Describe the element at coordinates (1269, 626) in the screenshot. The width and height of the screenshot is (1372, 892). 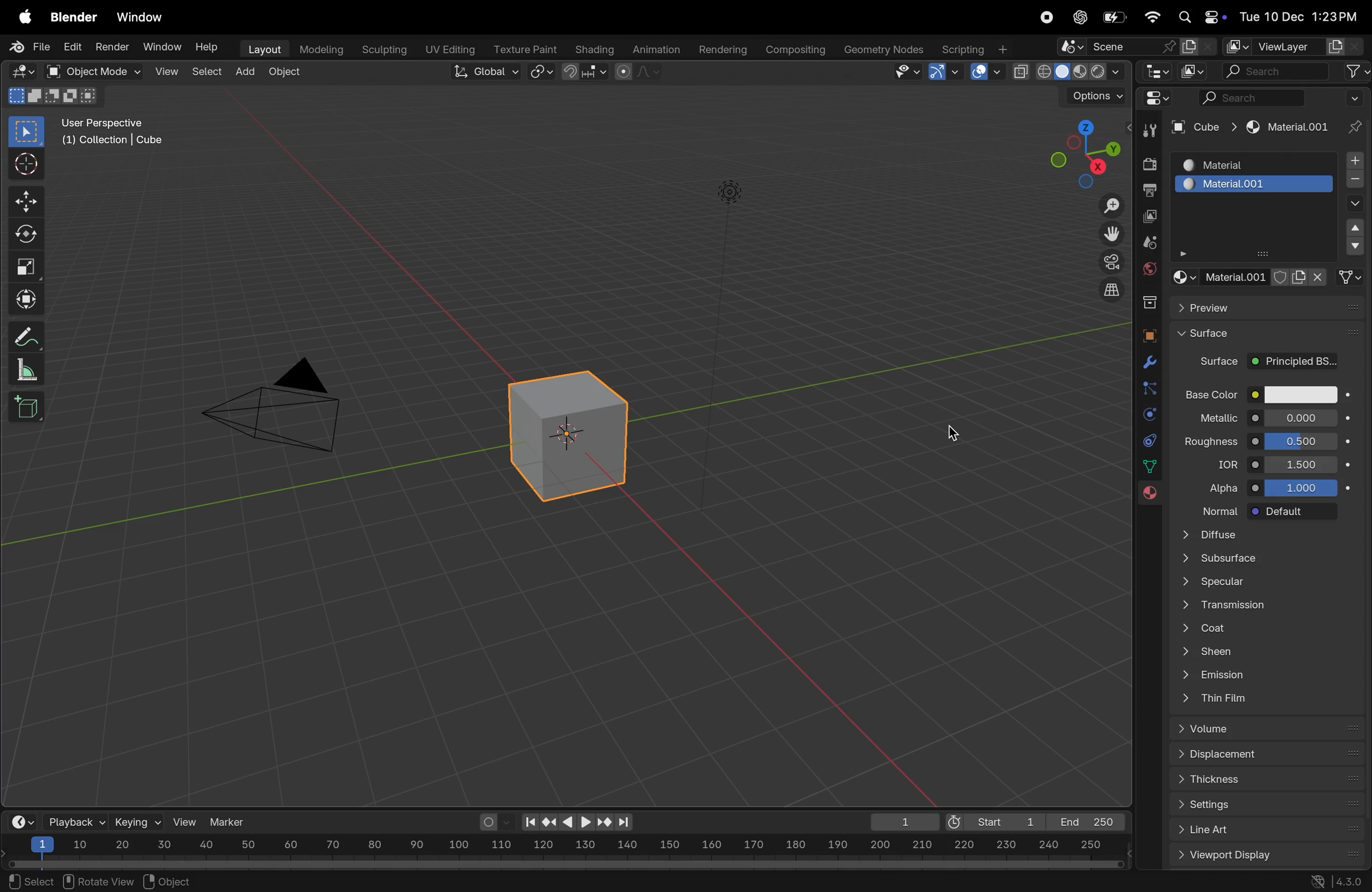
I see `coat` at that location.